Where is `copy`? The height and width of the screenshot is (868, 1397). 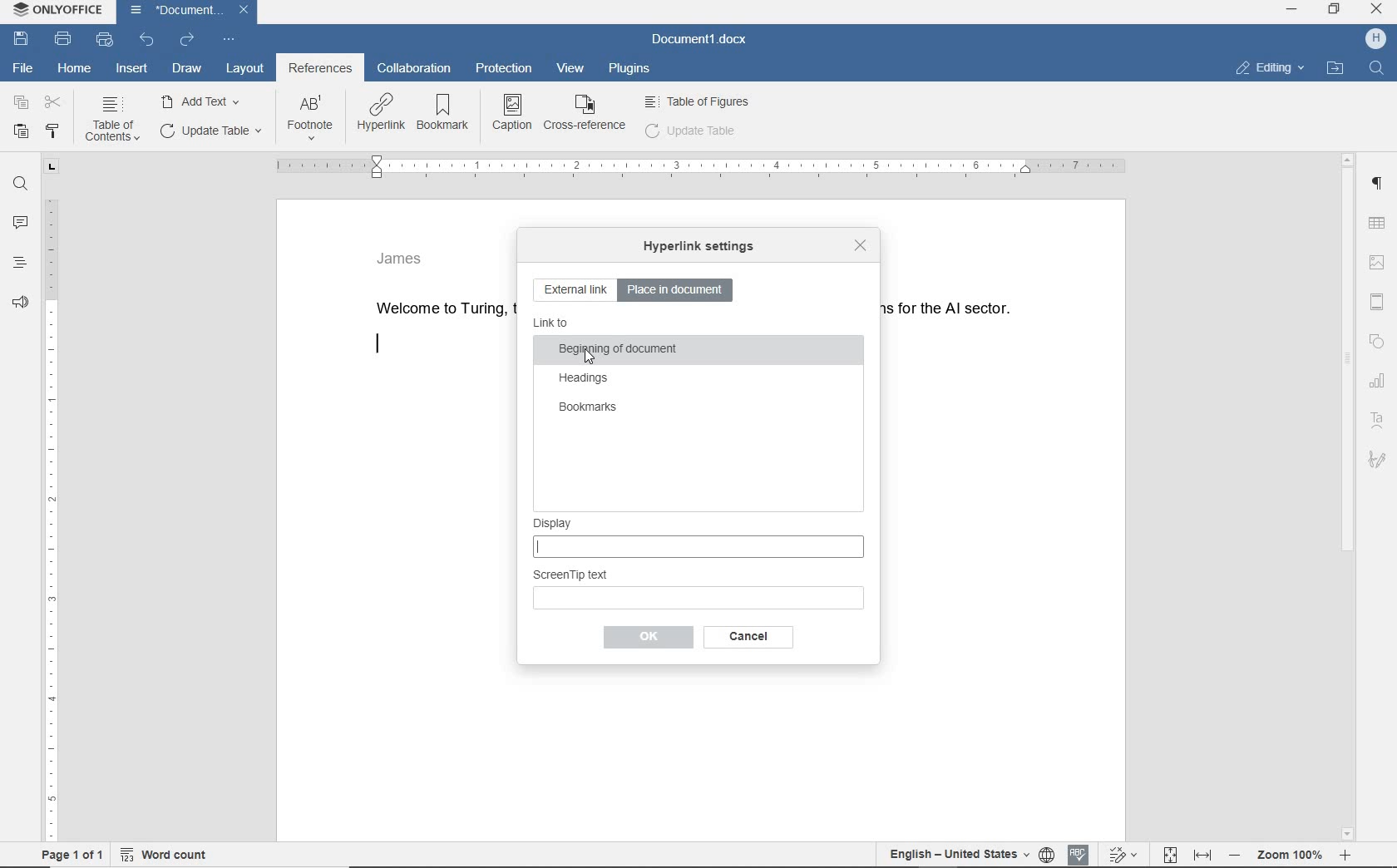
copy is located at coordinates (22, 102).